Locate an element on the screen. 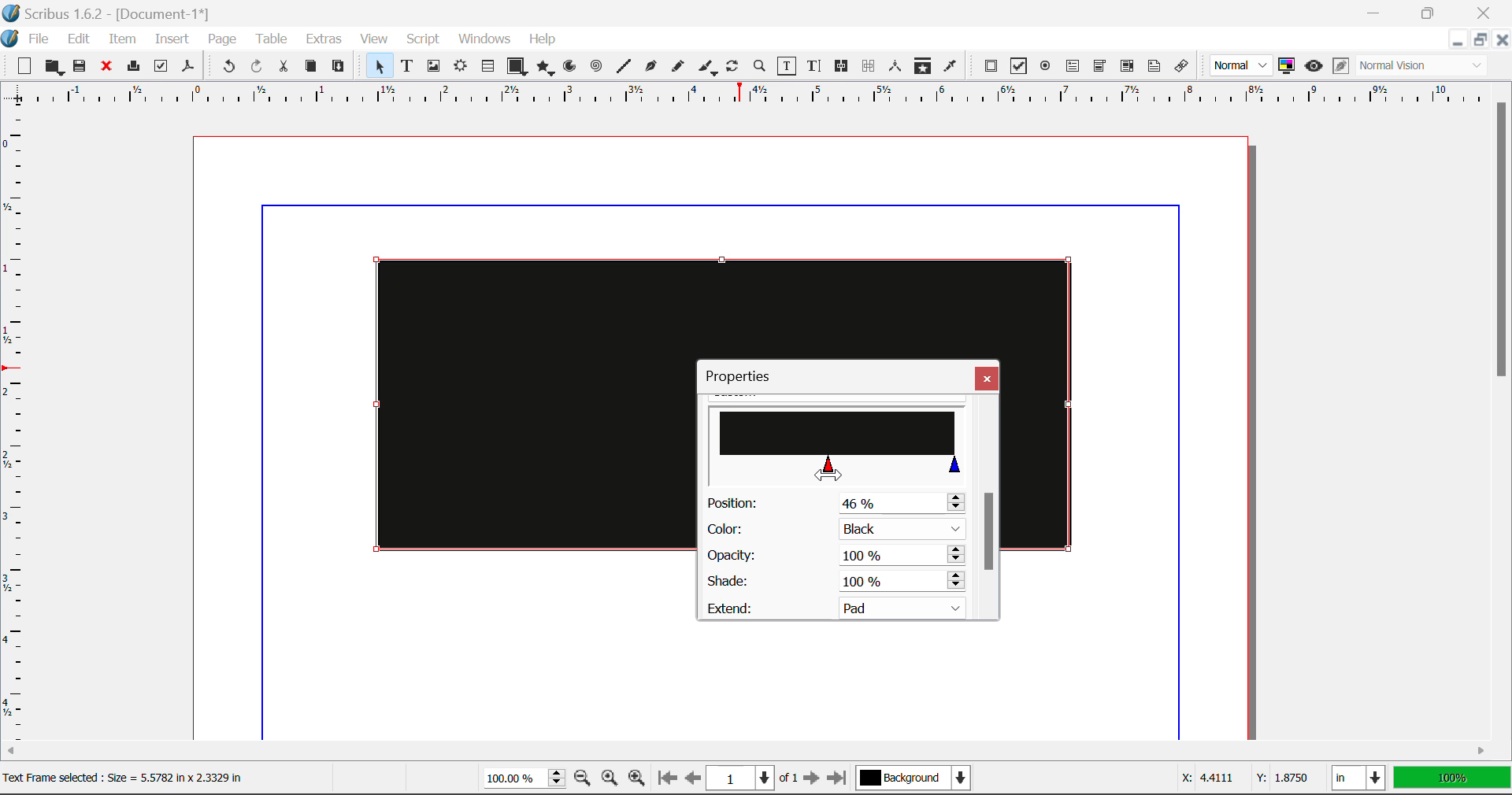  Discard is located at coordinates (106, 68).